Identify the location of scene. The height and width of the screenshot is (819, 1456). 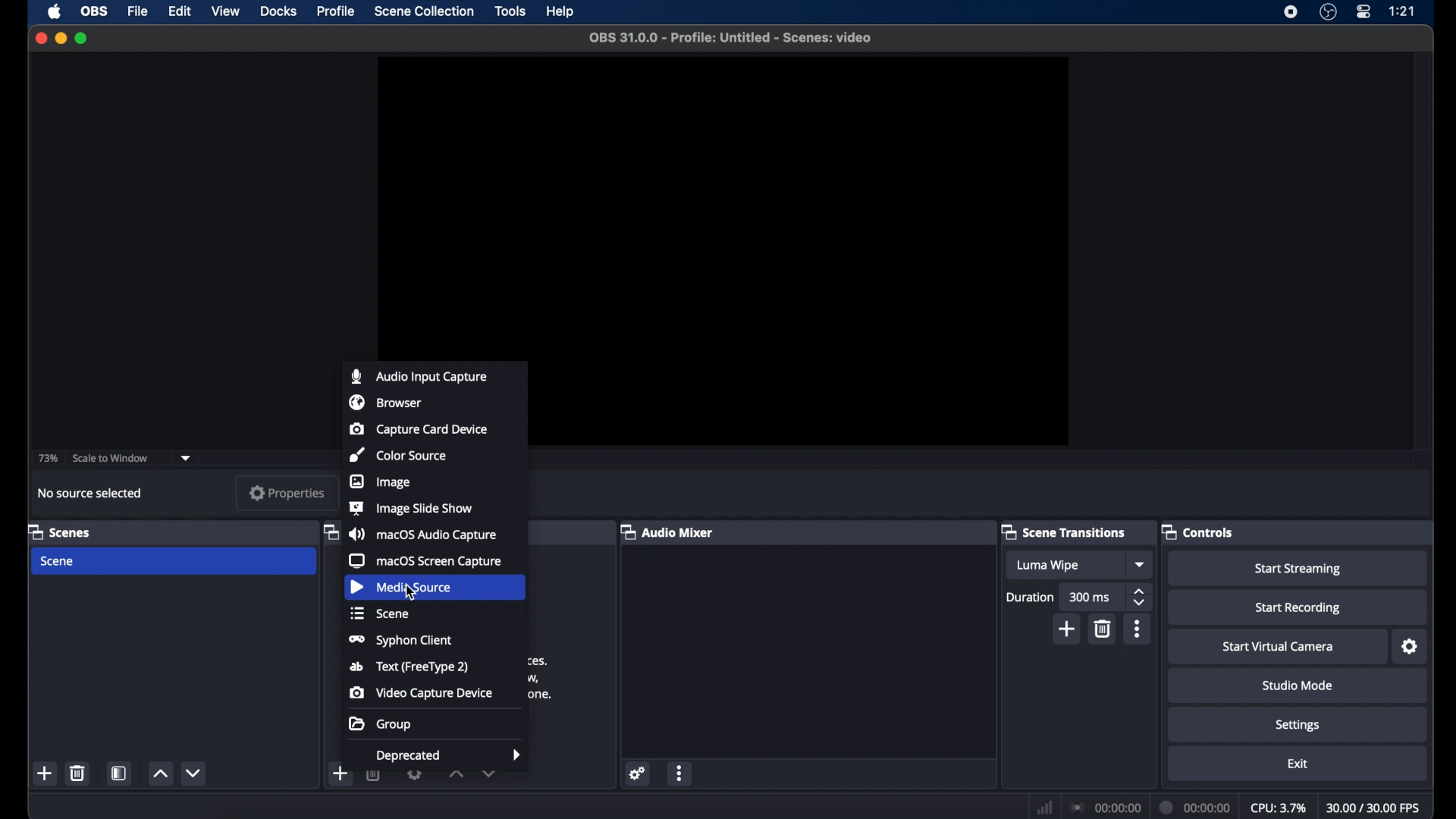
(56, 561).